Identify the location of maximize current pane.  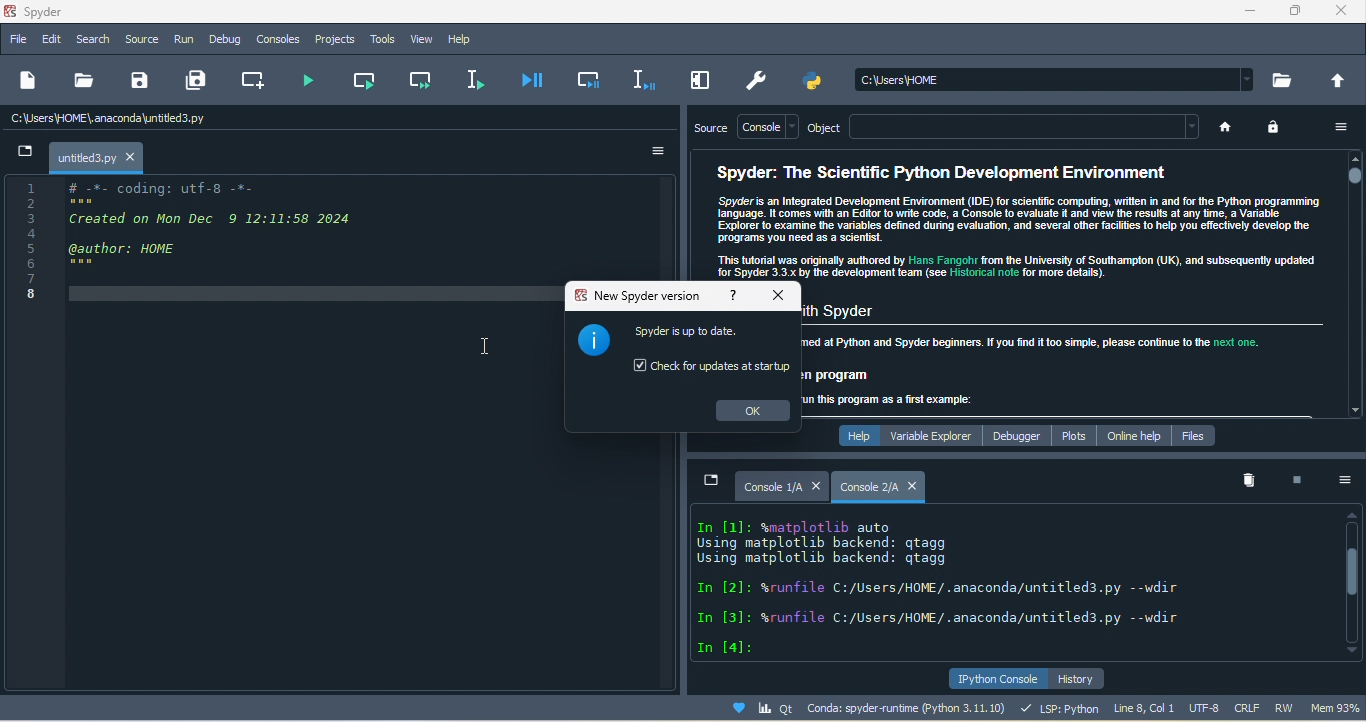
(695, 81).